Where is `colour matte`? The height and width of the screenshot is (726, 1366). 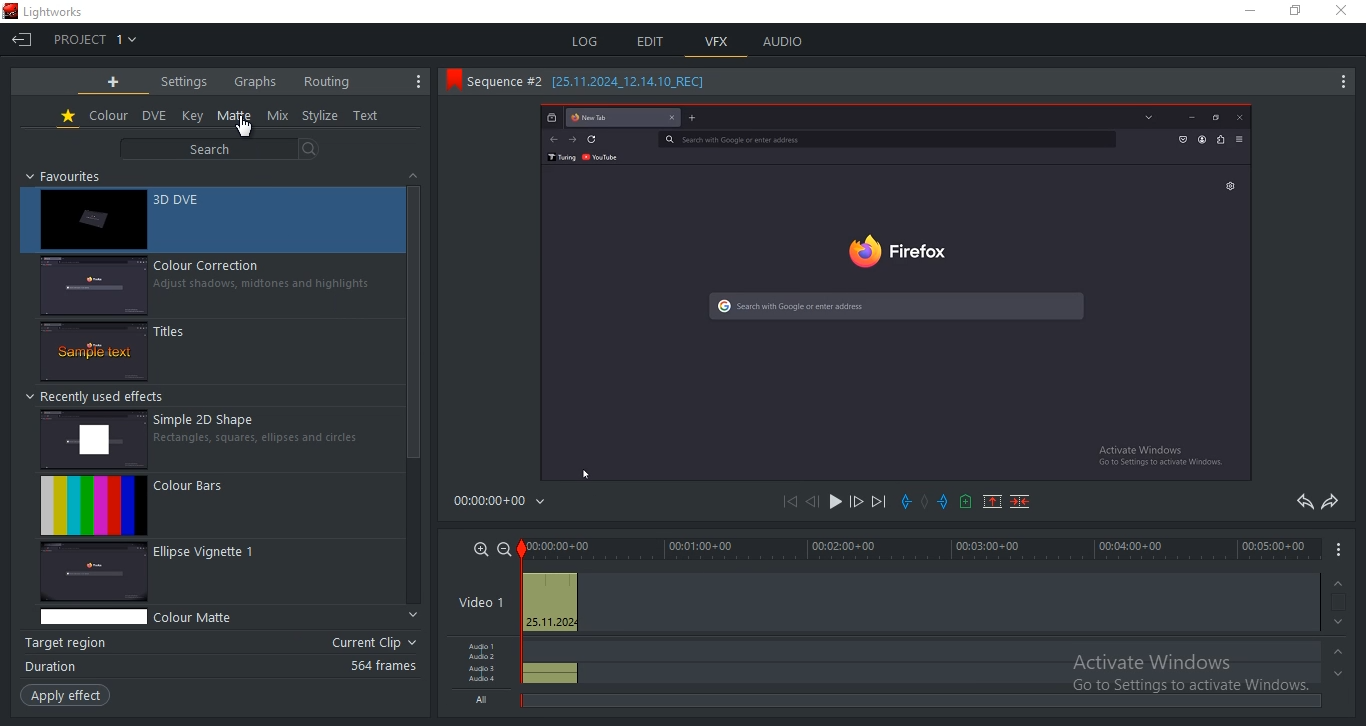
colour matte is located at coordinates (219, 617).